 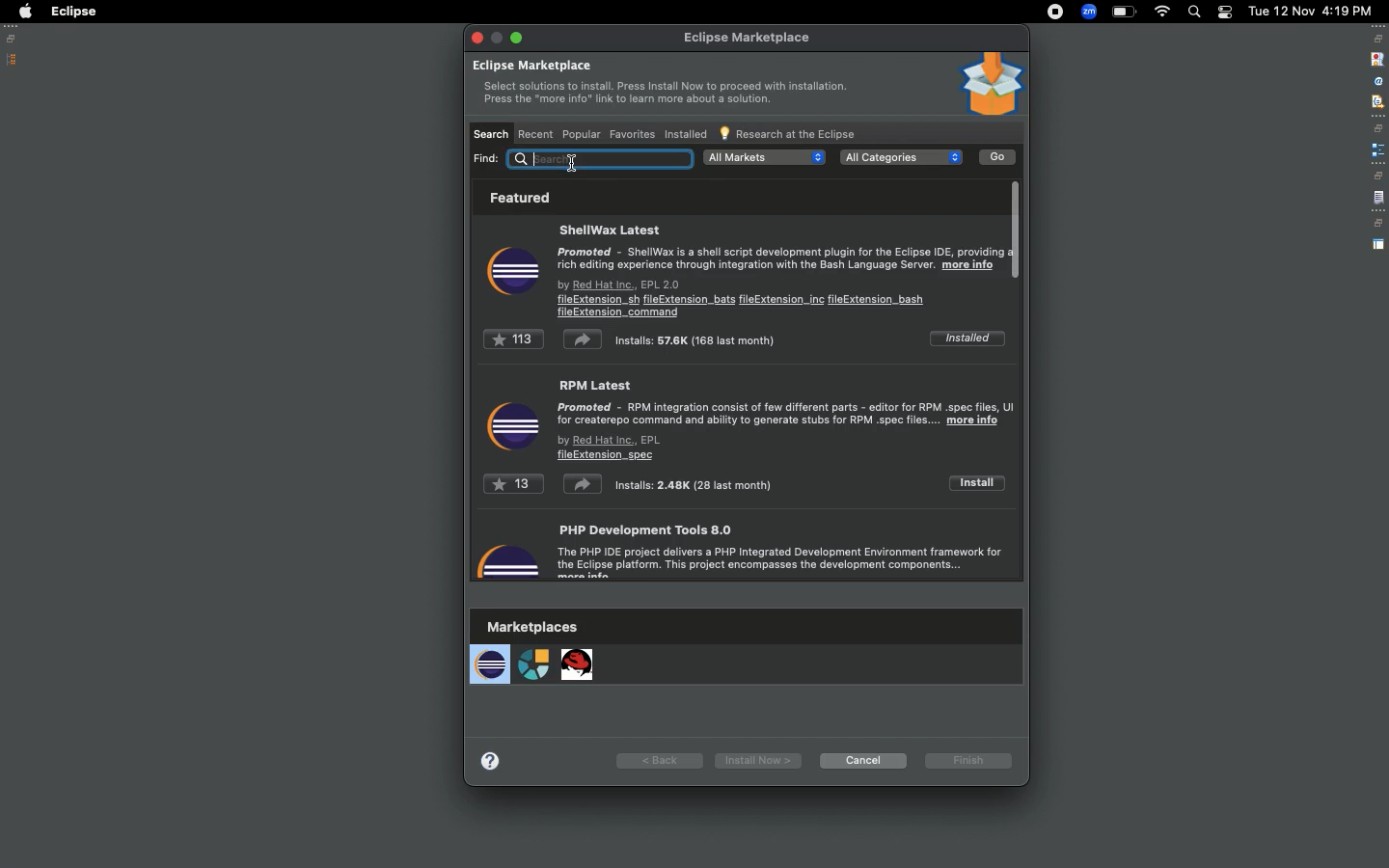 I want to click on restore, so click(x=1379, y=128).